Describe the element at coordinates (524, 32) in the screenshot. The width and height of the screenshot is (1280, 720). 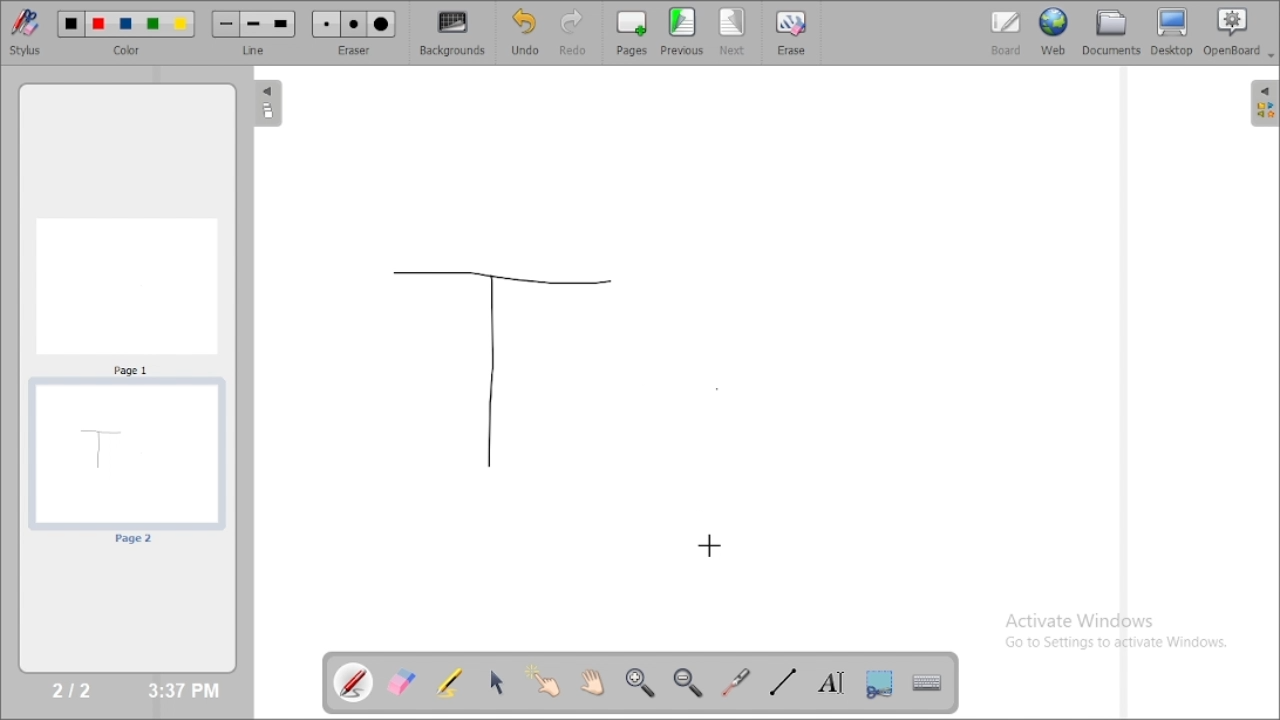
I see `undo` at that location.